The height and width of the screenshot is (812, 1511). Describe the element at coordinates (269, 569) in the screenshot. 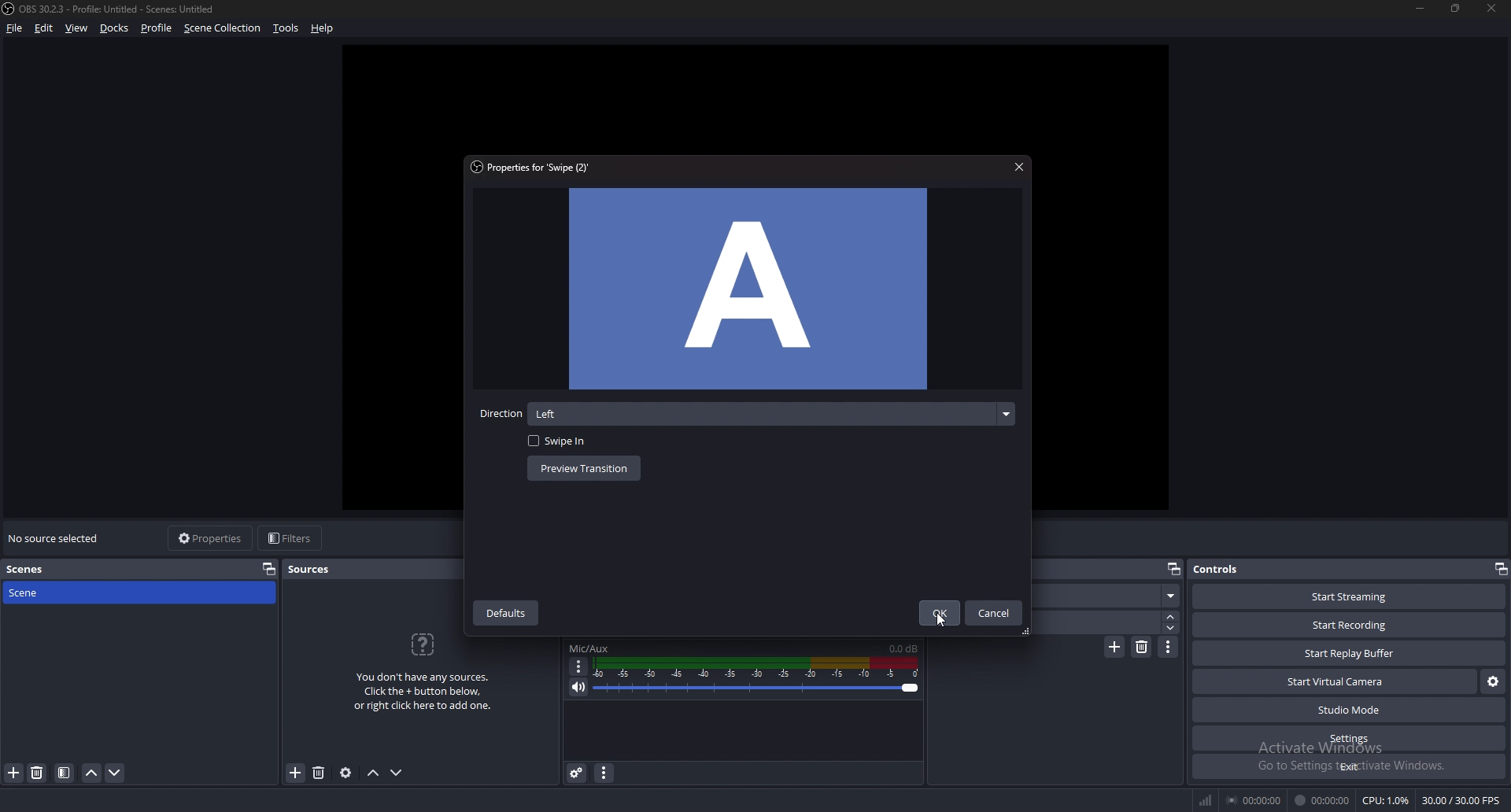

I see `pop out` at that location.